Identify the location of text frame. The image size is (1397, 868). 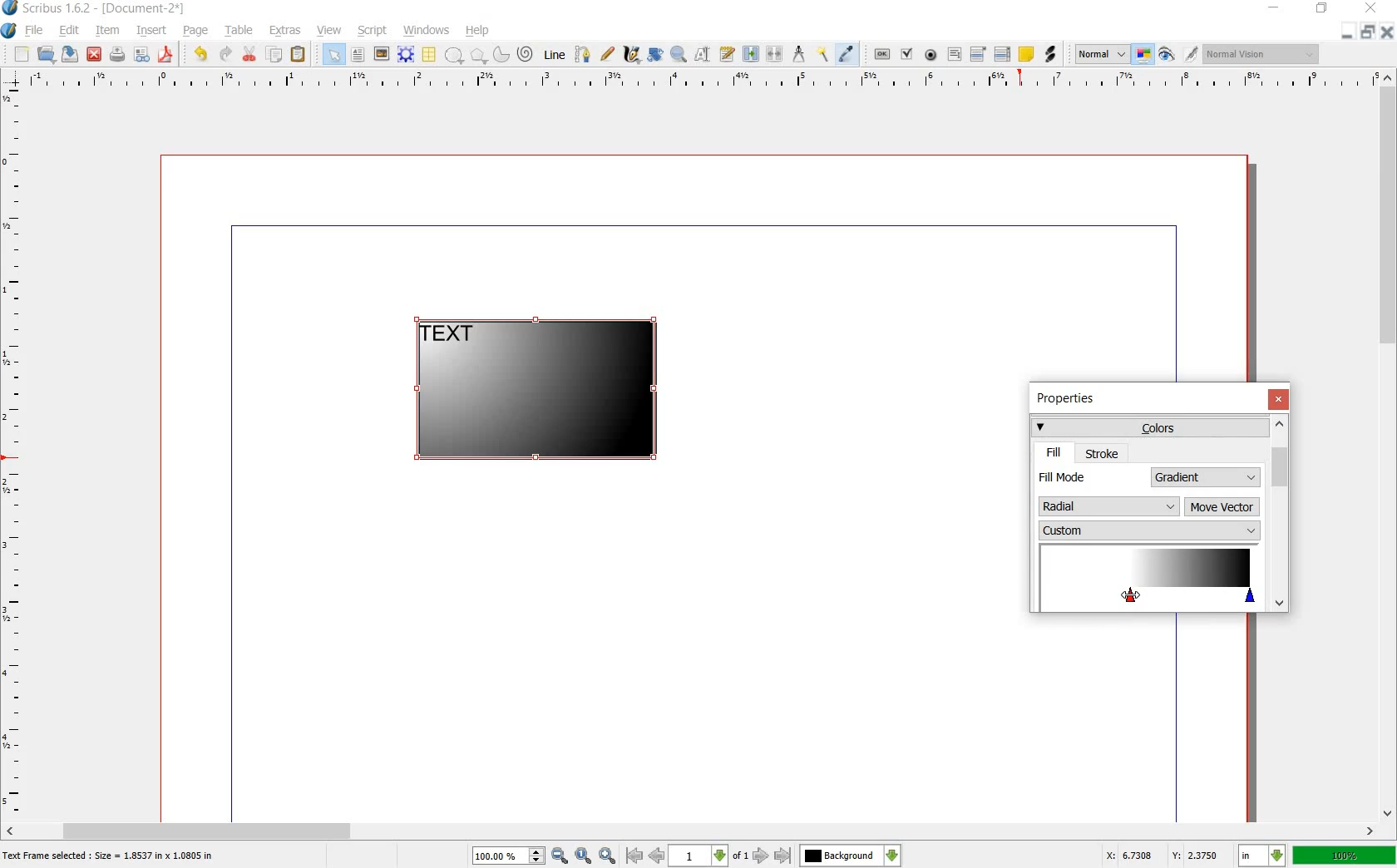
(357, 55).